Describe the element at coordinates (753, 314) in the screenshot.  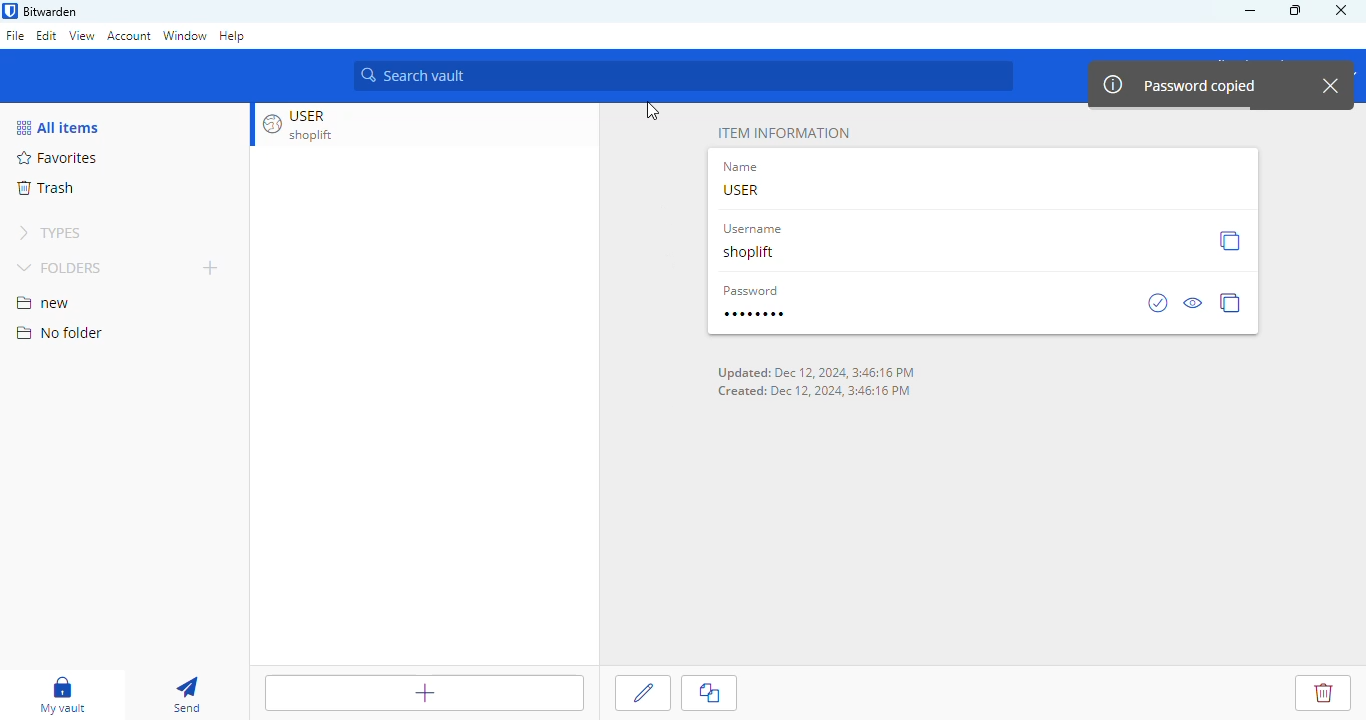
I see `password` at that location.